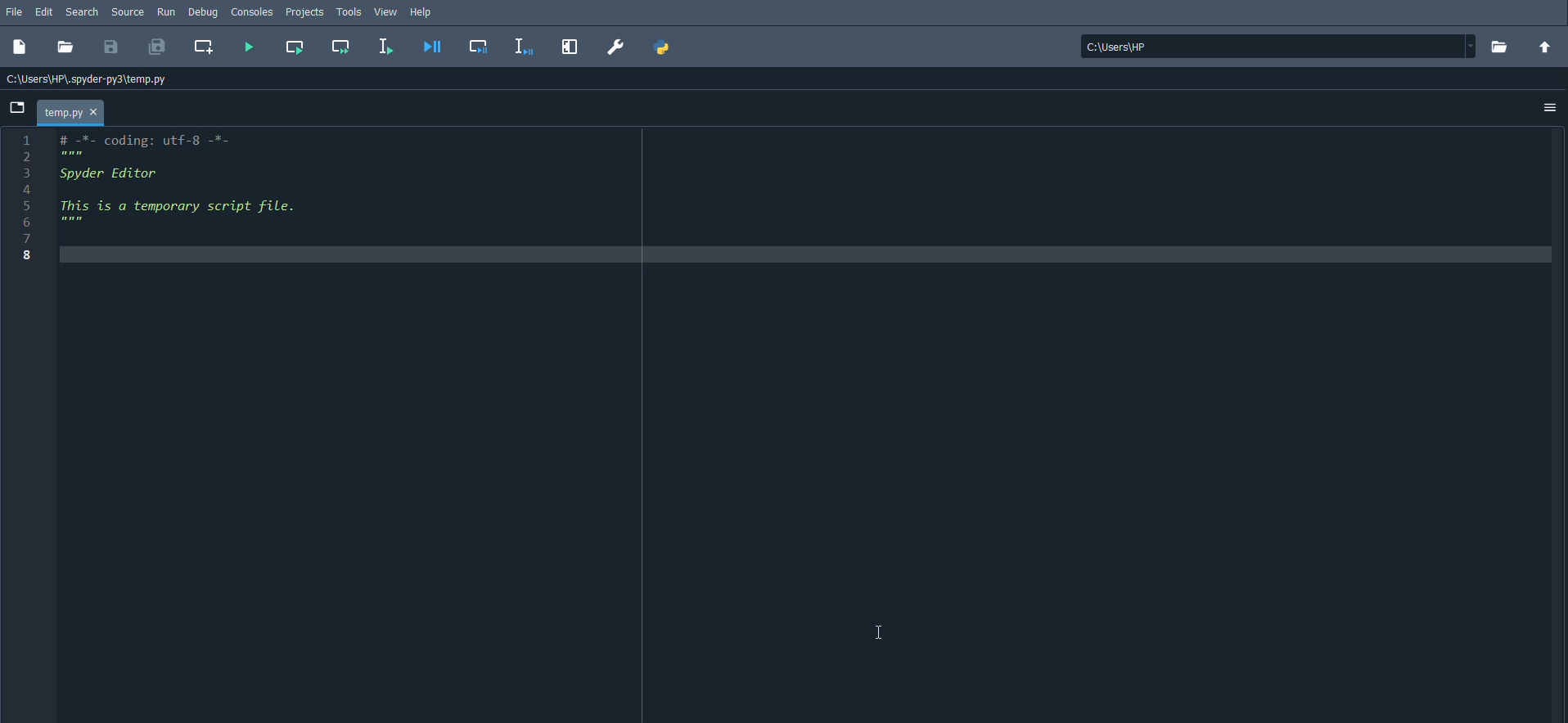 The image size is (1568, 723). What do you see at coordinates (112, 50) in the screenshot?
I see `Save file` at bounding box center [112, 50].